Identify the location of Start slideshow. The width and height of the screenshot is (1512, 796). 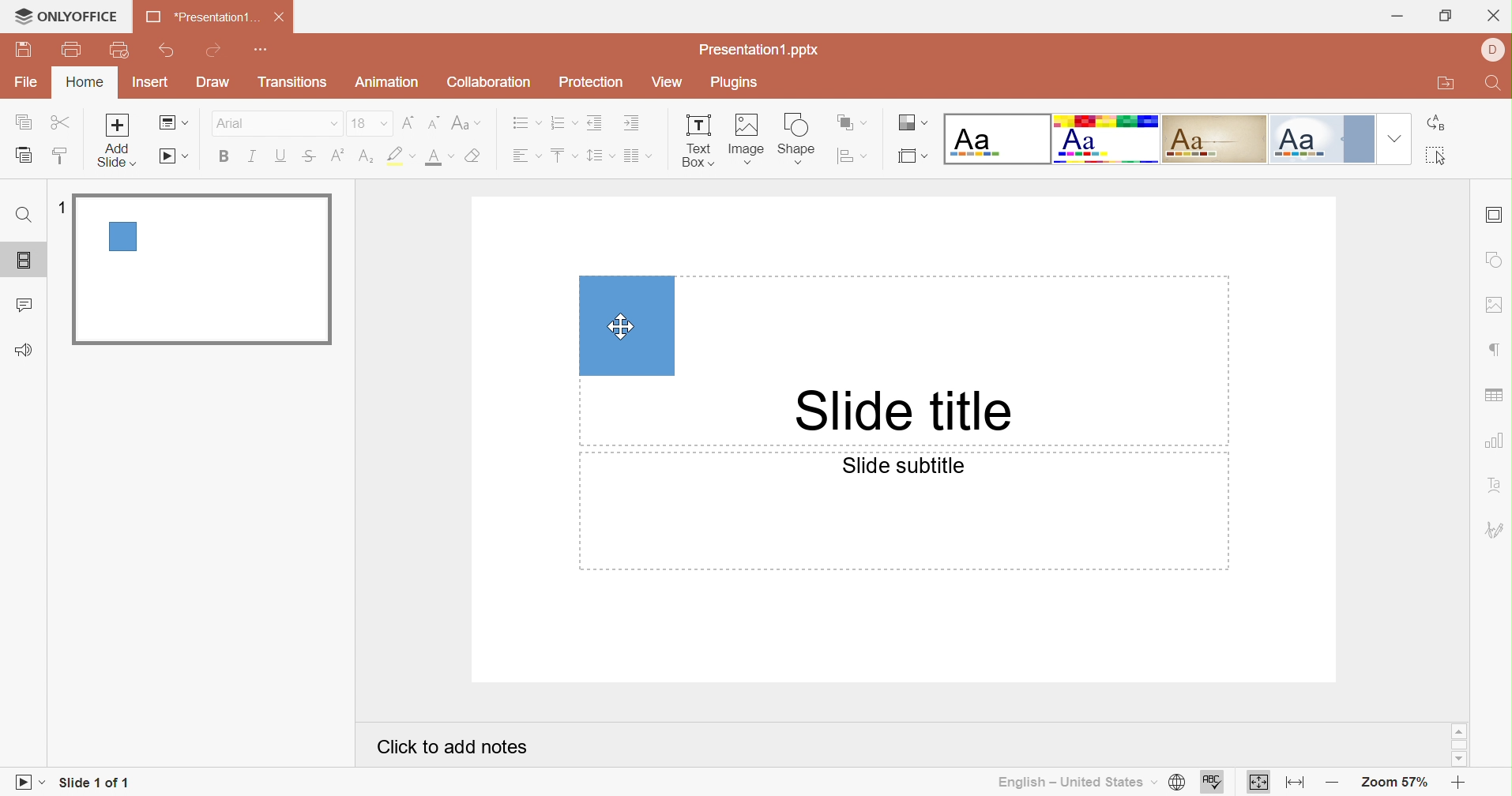
(175, 157).